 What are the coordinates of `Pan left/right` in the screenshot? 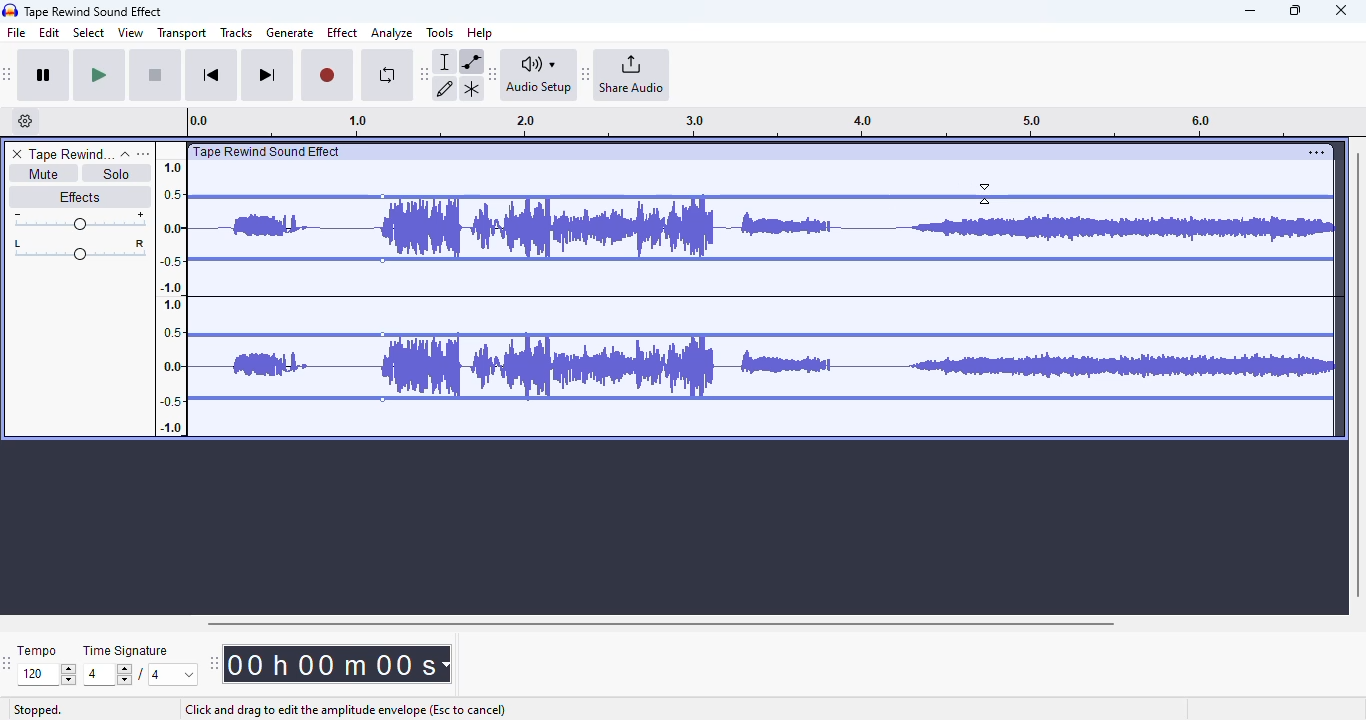 It's located at (80, 250).